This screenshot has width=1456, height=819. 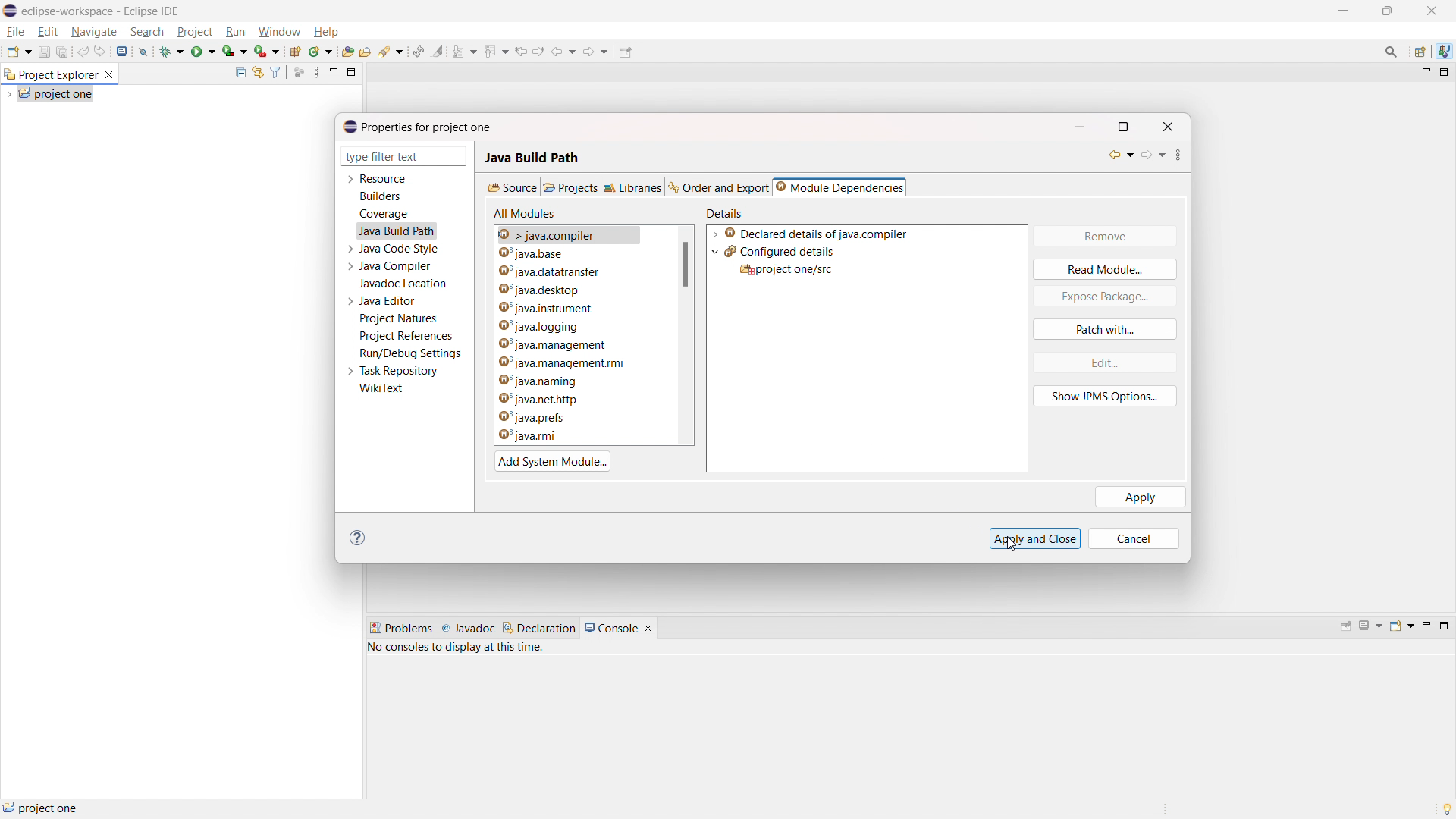 I want to click on view menu, so click(x=316, y=72).